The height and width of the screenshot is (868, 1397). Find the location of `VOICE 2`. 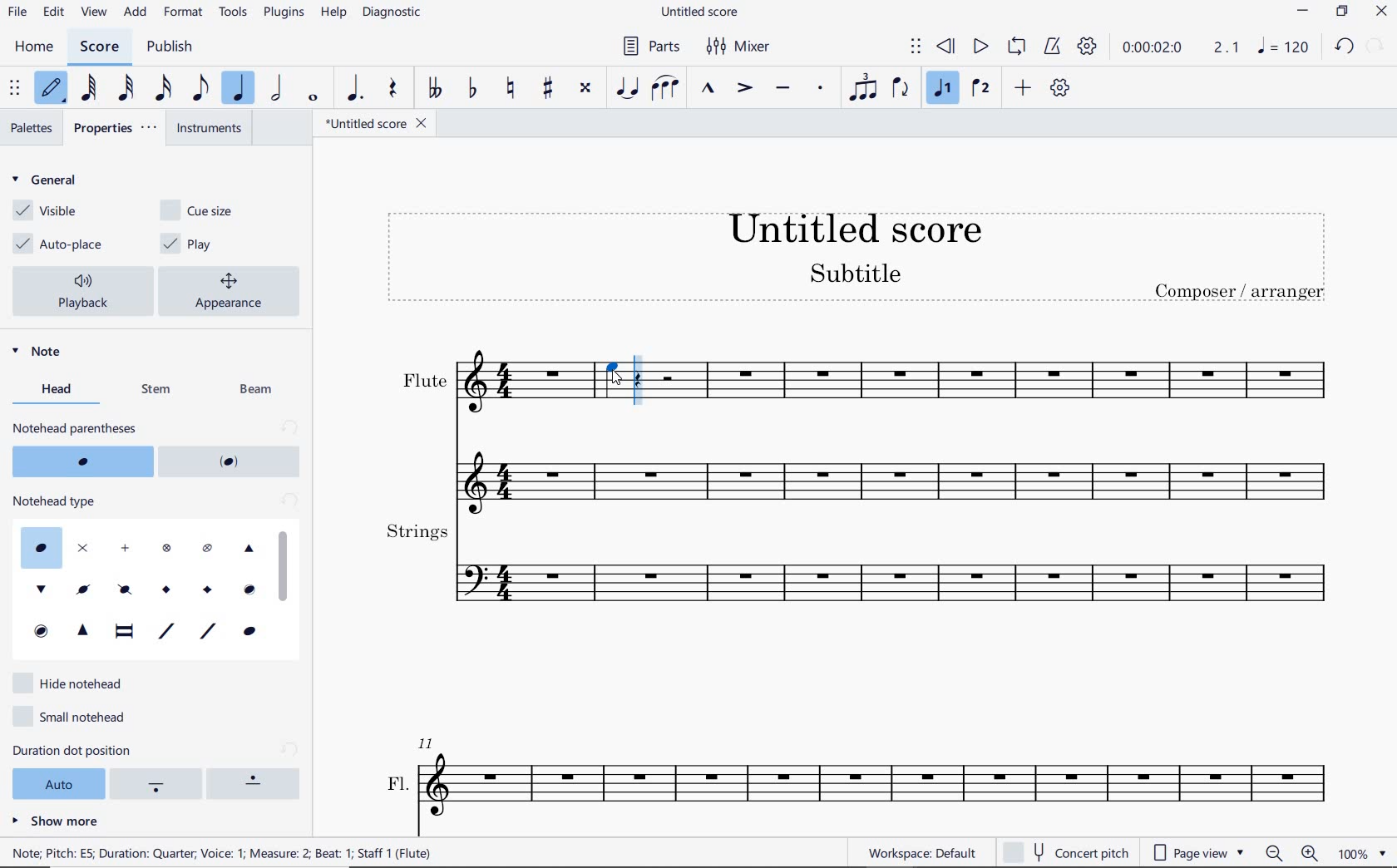

VOICE 2 is located at coordinates (980, 89).